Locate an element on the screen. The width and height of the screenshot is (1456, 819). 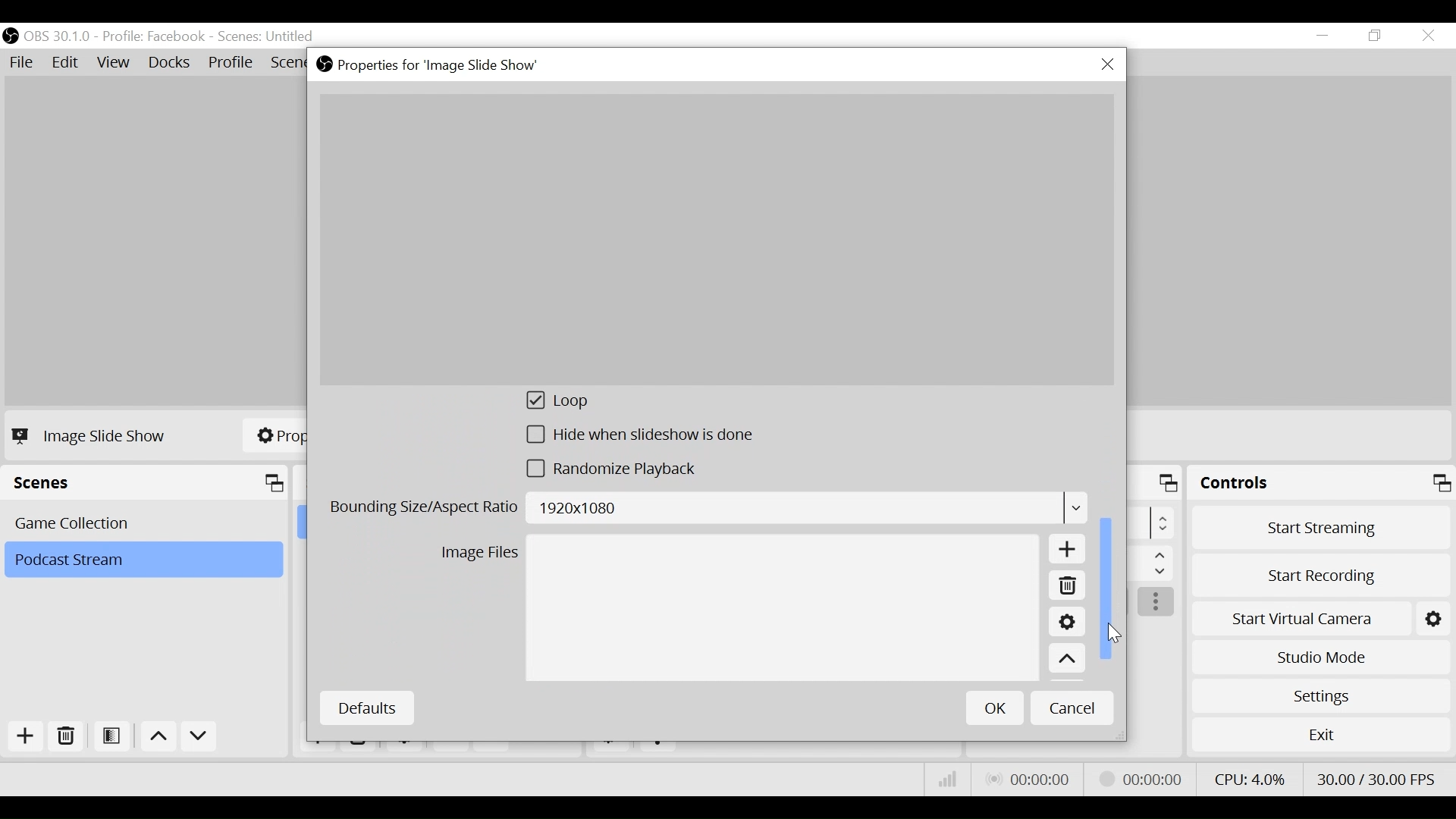
OK is located at coordinates (995, 708).